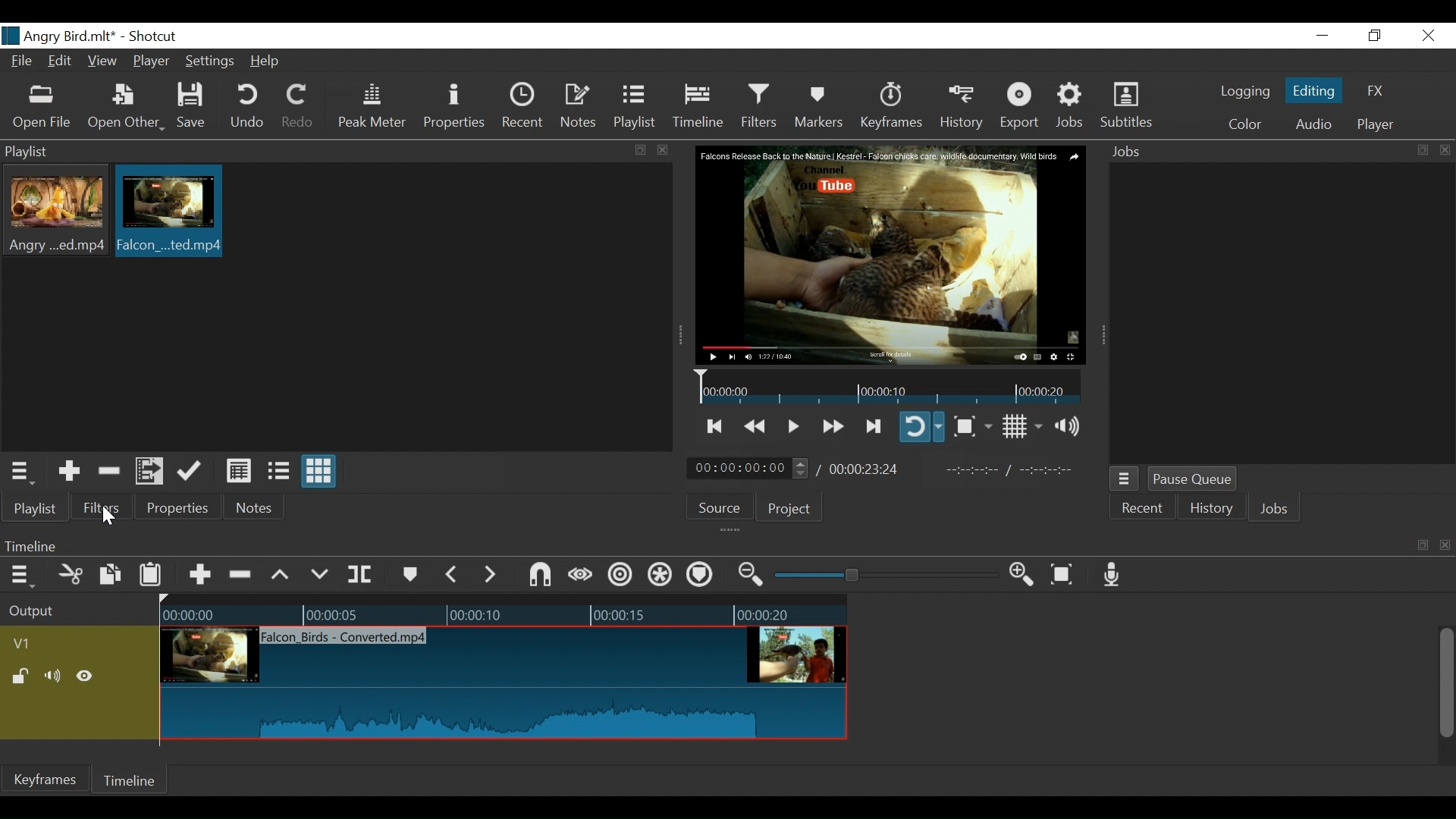  What do you see at coordinates (757, 427) in the screenshot?
I see `Play backward quickly` at bounding box center [757, 427].